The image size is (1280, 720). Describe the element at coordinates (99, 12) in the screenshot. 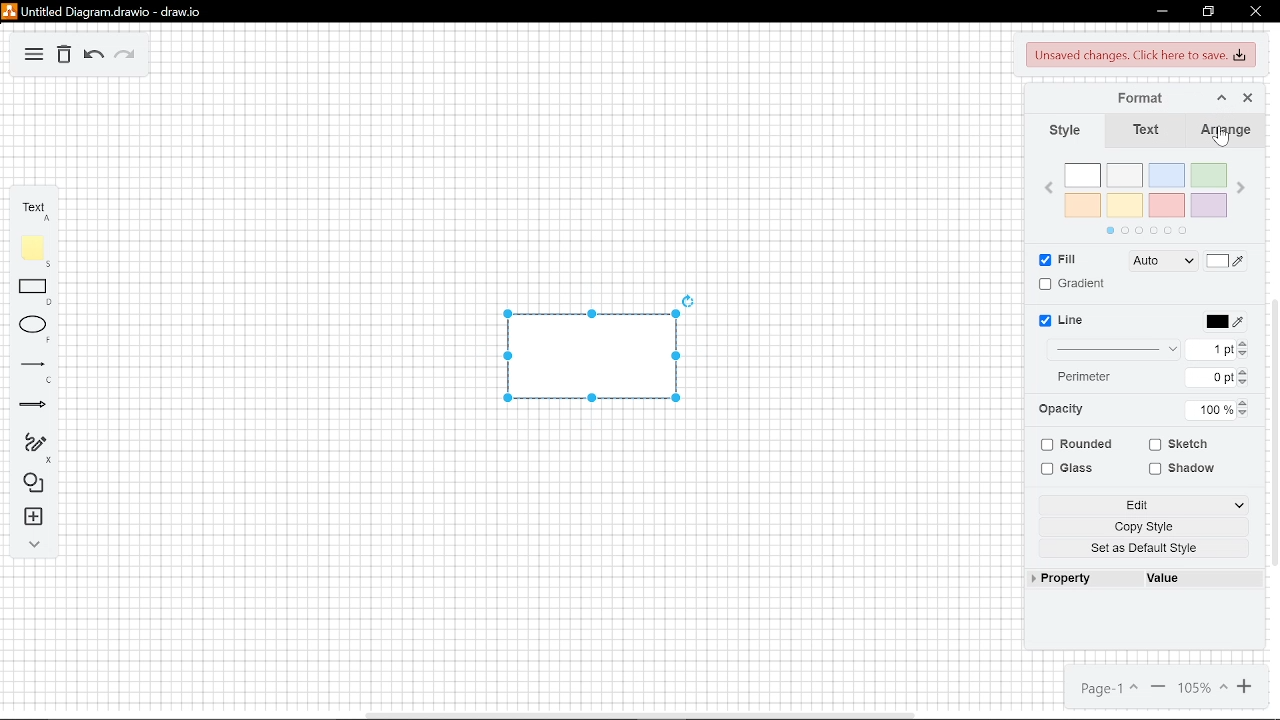

I see `Untitled Diagram drawio - draw.io` at that location.